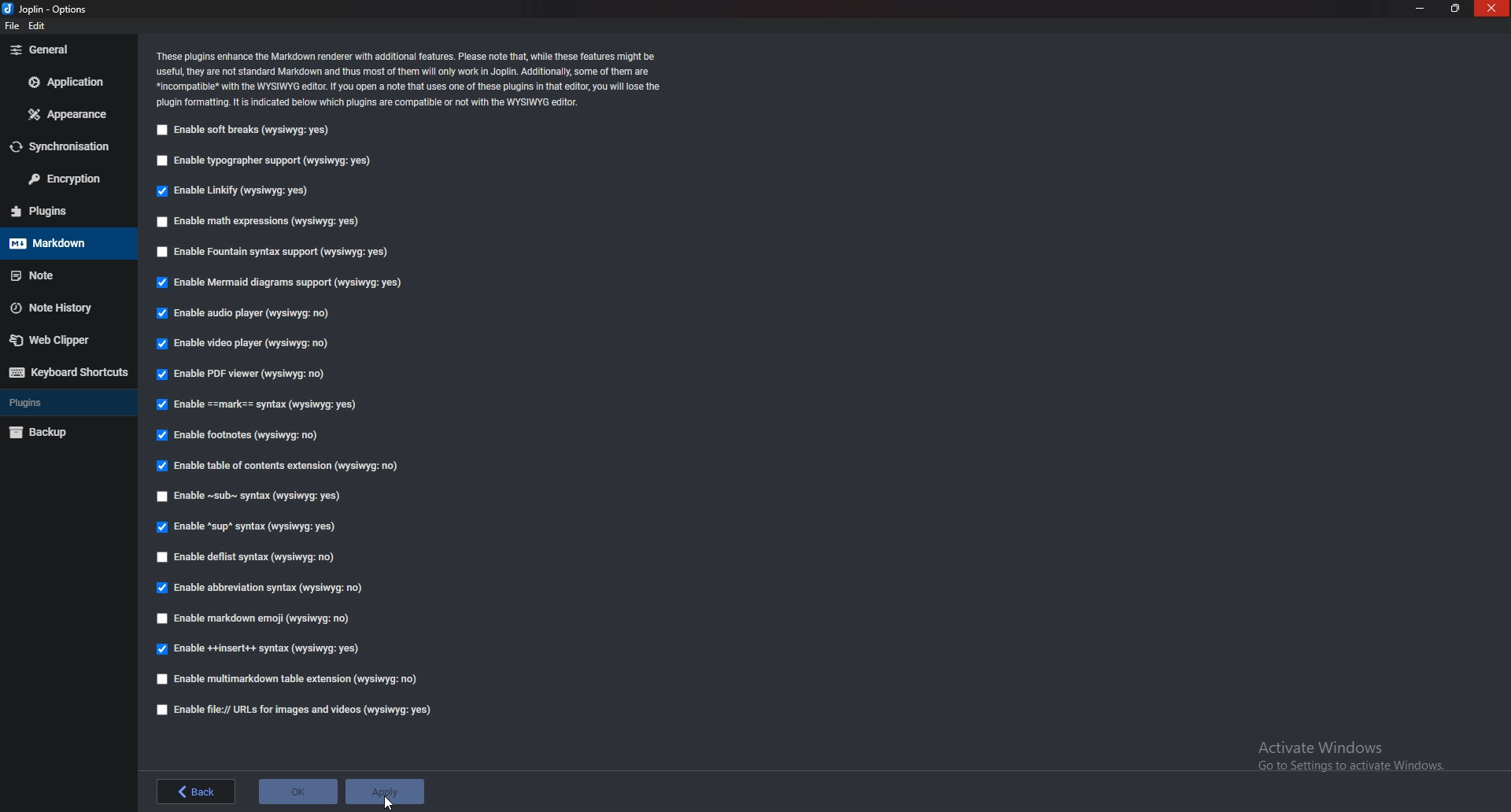 This screenshot has height=812, width=1511. I want to click on Synchronization, so click(68, 146).